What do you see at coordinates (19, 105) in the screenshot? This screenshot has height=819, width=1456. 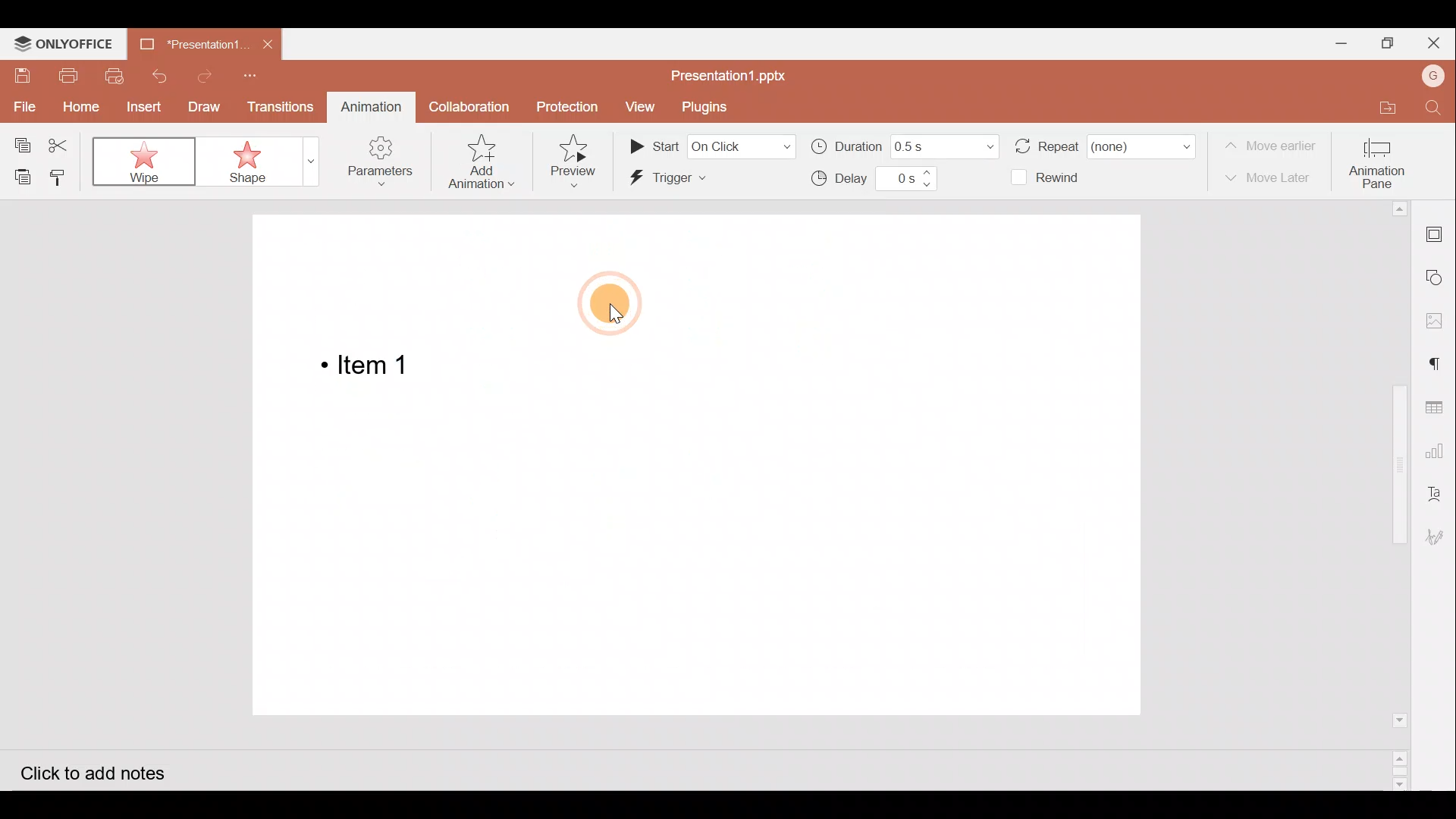 I see `File` at bounding box center [19, 105].